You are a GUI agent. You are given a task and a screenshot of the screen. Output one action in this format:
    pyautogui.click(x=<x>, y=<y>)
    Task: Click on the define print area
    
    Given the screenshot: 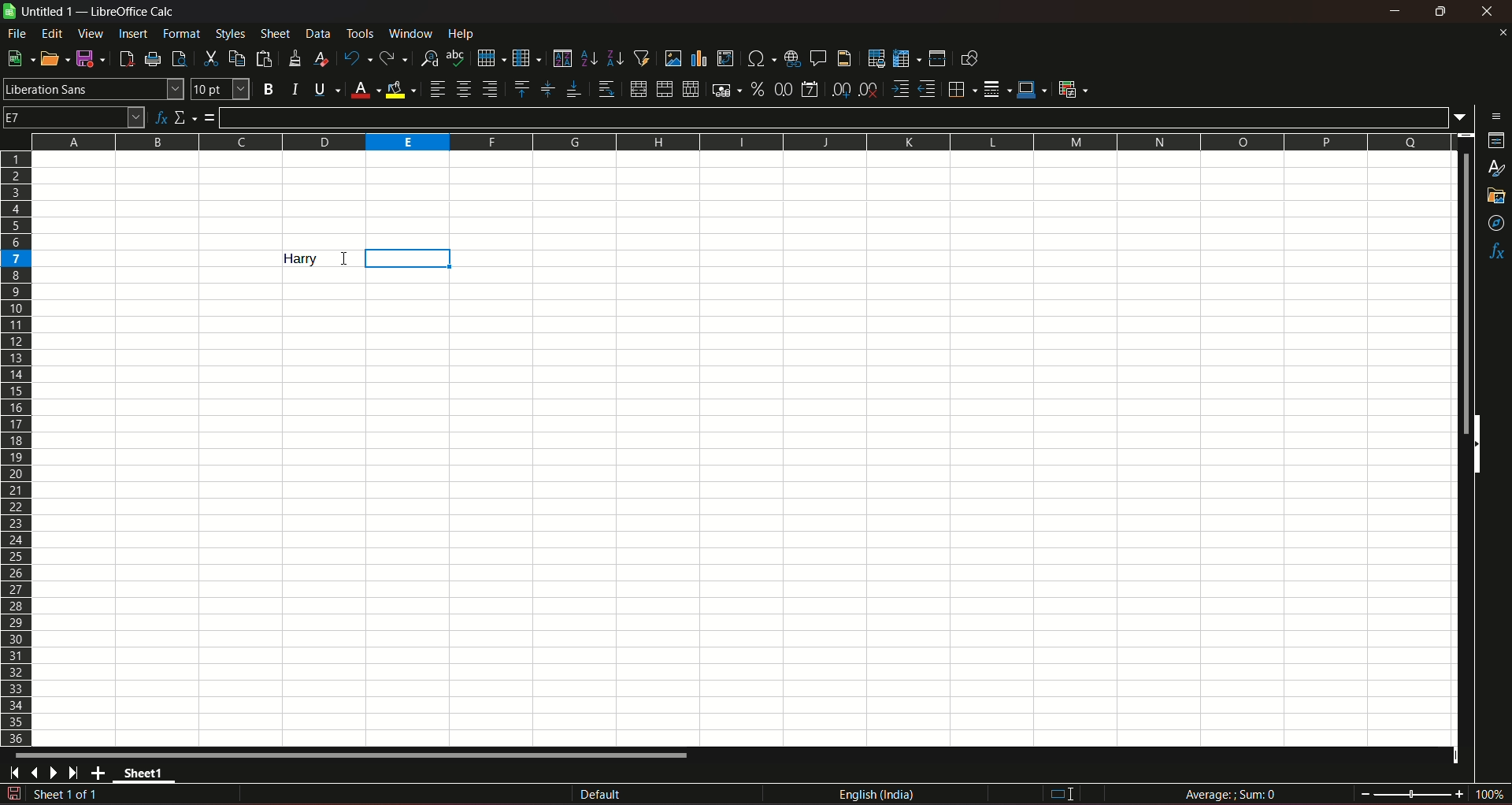 What is the action you would take?
    pyautogui.click(x=876, y=59)
    